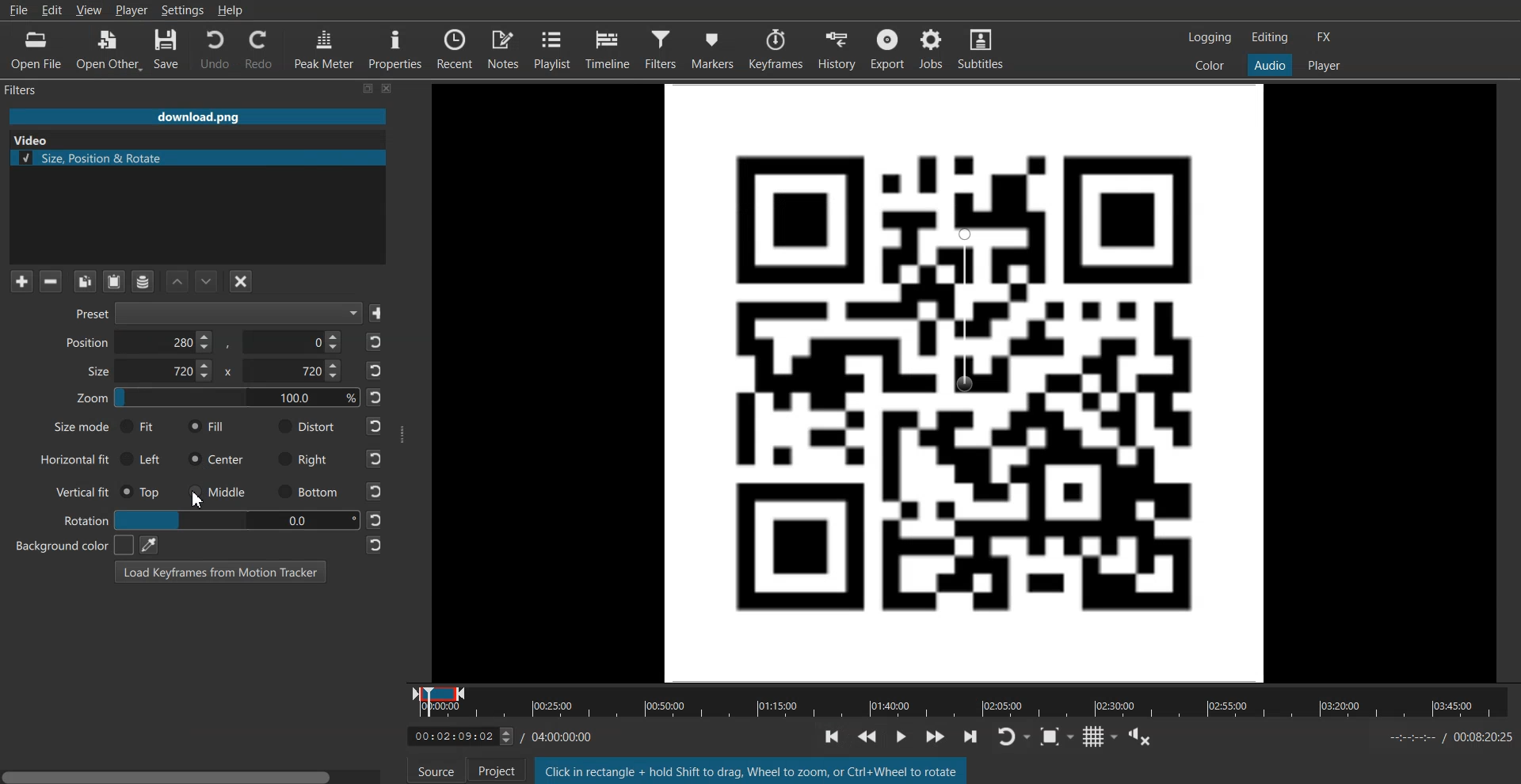 The image size is (1521, 784). I want to click on Project, so click(493, 771).